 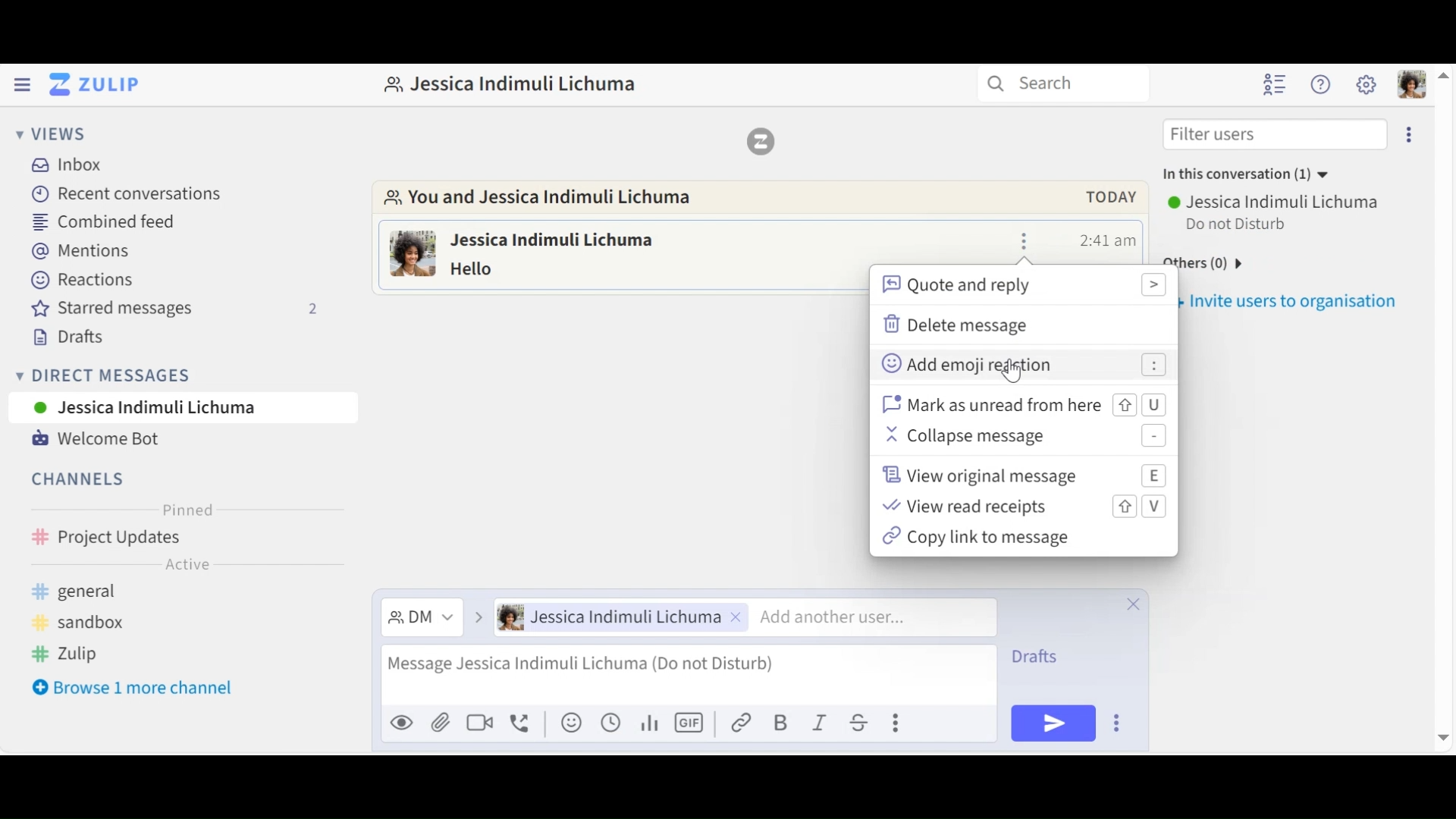 I want to click on Send options, so click(x=1119, y=723).